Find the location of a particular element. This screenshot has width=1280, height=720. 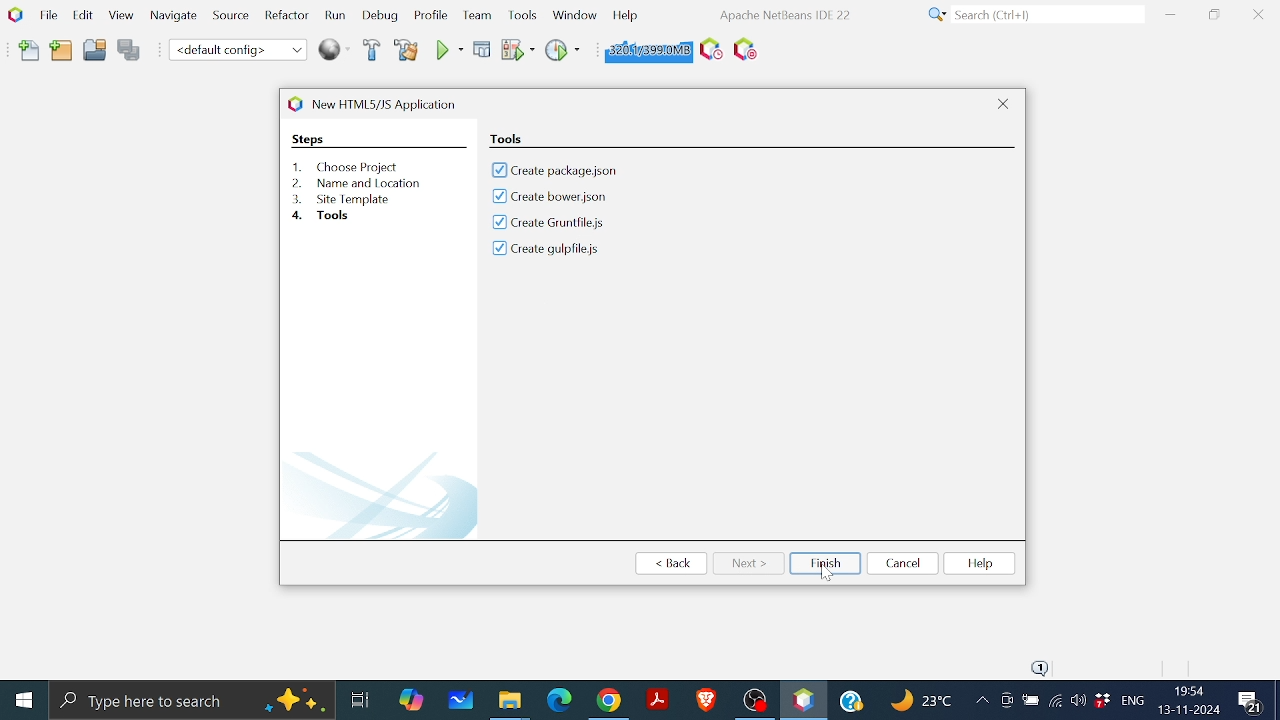

Back is located at coordinates (674, 564).